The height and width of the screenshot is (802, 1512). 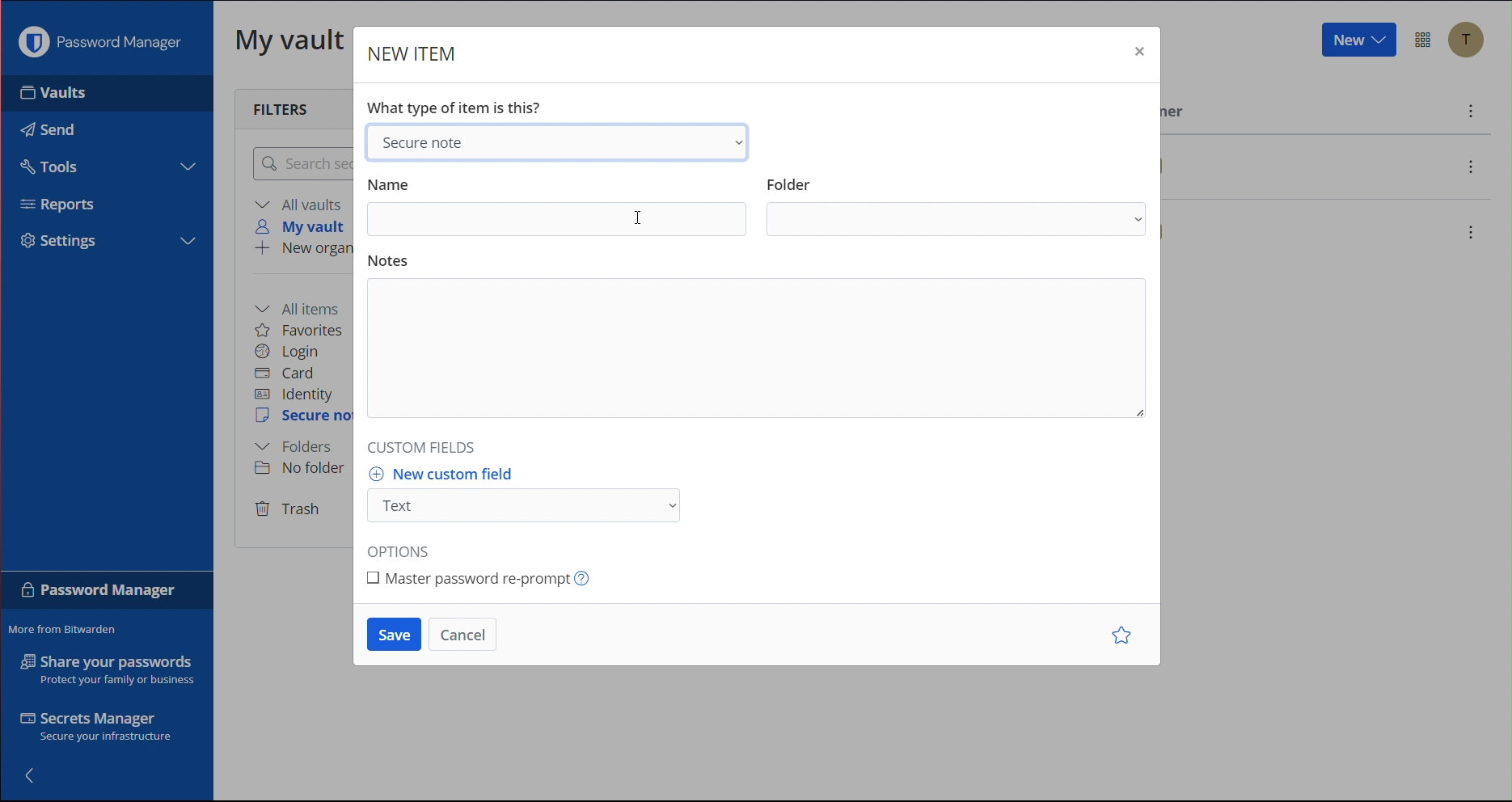 What do you see at coordinates (1425, 39) in the screenshot?
I see `Options` at bounding box center [1425, 39].